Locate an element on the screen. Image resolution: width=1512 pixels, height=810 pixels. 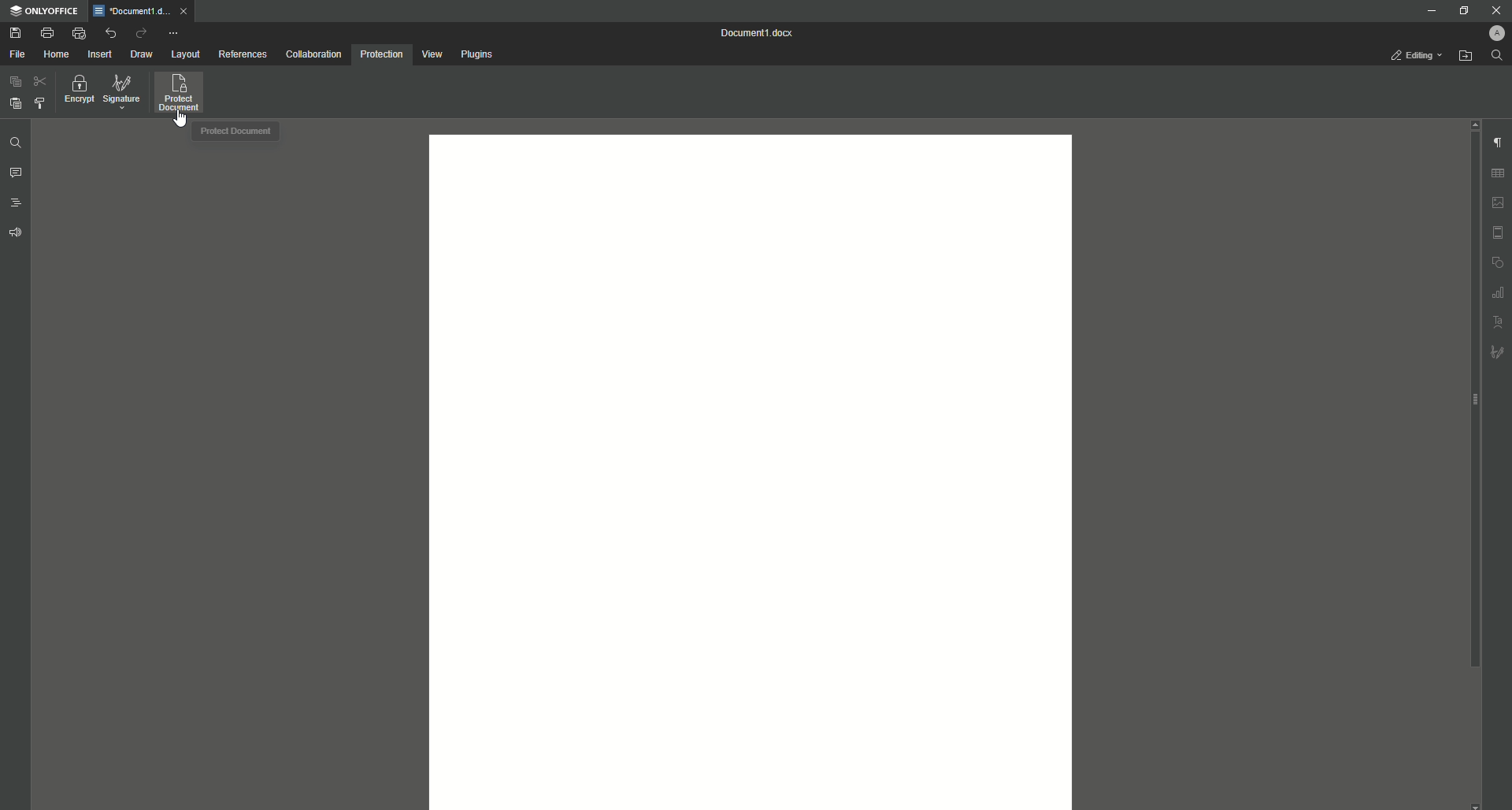
Signature is located at coordinates (122, 92).